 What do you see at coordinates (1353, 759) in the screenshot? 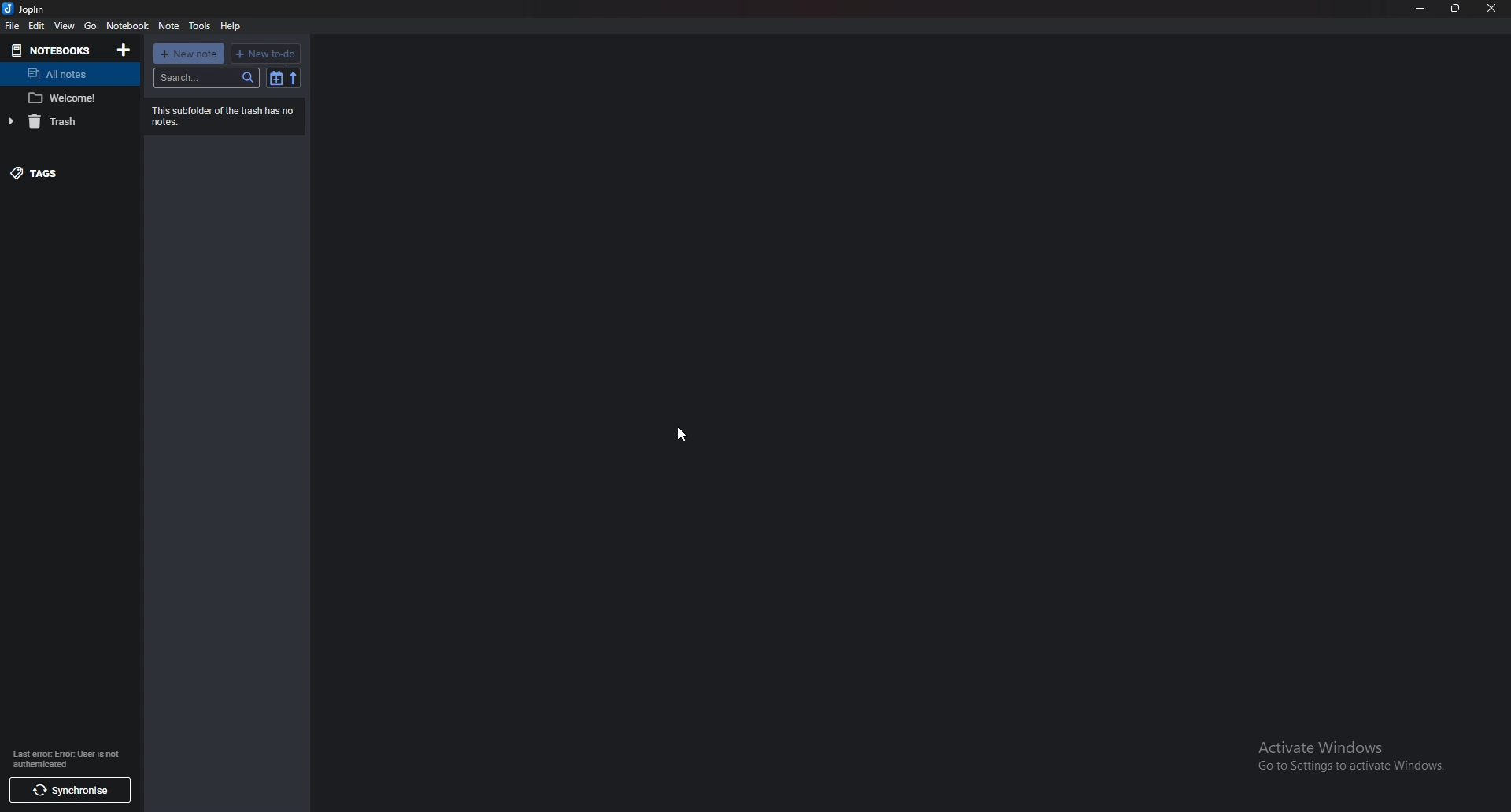
I see `activate windows pop up` at bounding box center [1353, 759].